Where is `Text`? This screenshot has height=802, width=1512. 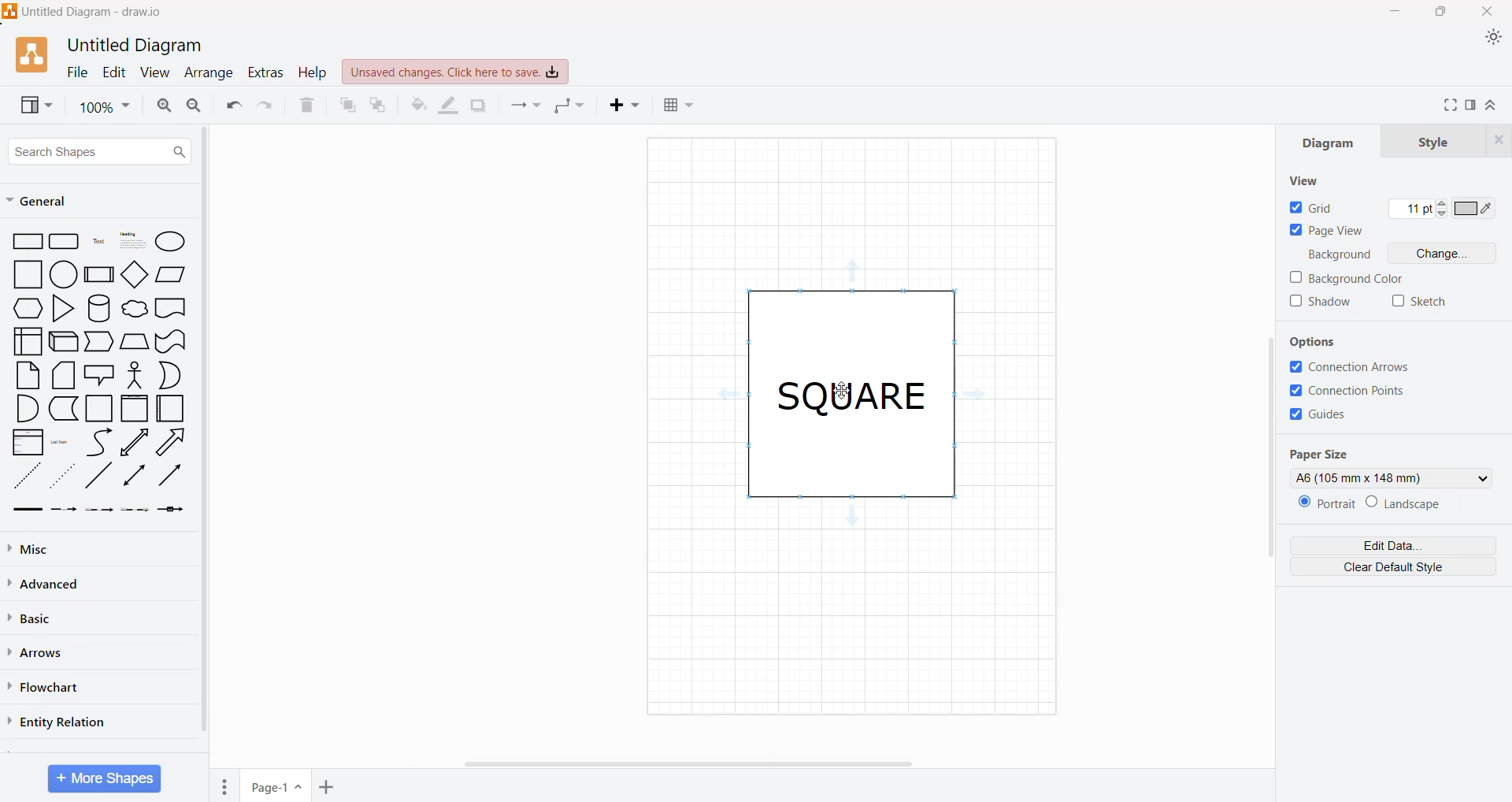
Text is located at coordinates (99, 241).